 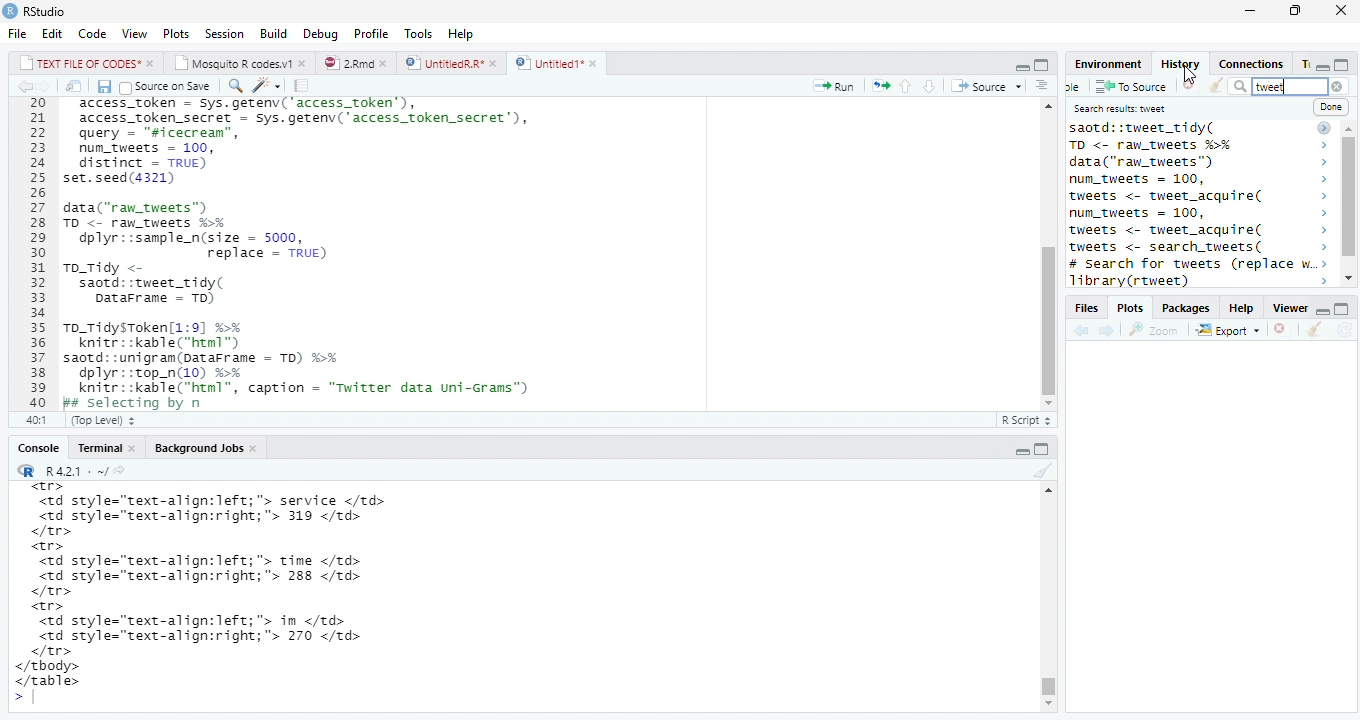 What do you see at coordinates (1202, 85) in the screenshot?
I see `Clear window` at bounding box center [1202, 85].